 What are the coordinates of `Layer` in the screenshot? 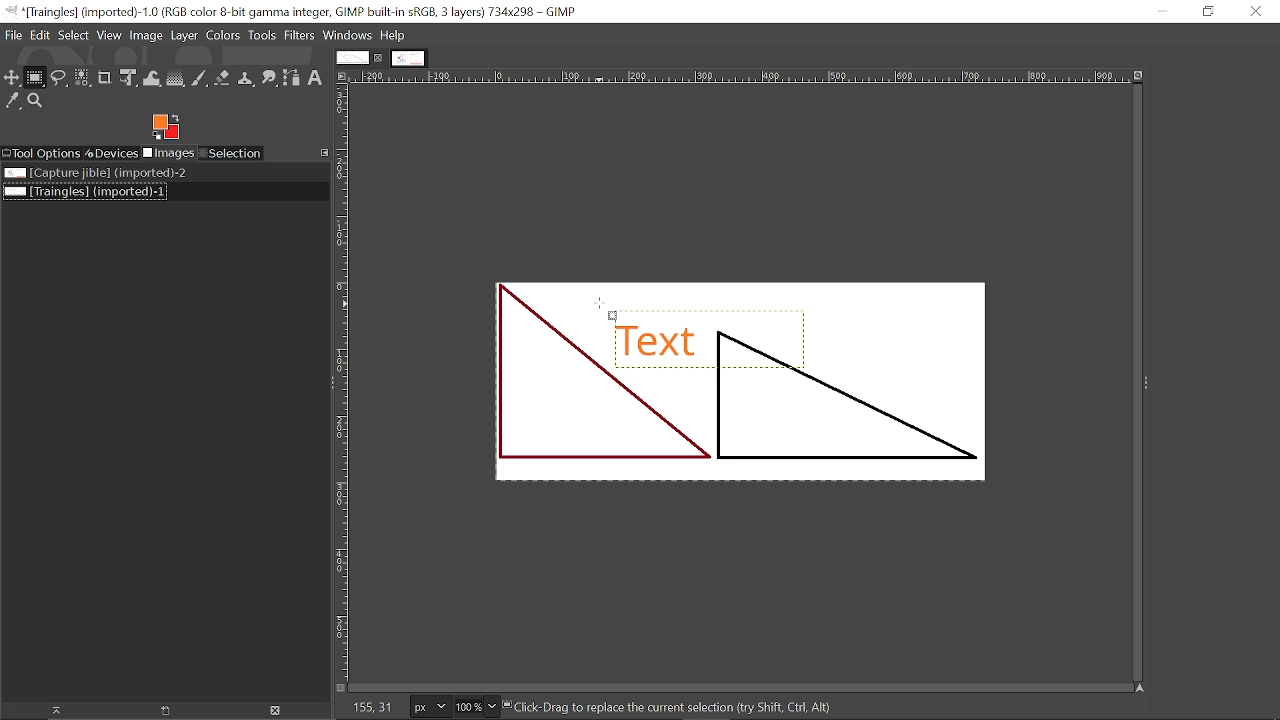 It's located at (184, 36).